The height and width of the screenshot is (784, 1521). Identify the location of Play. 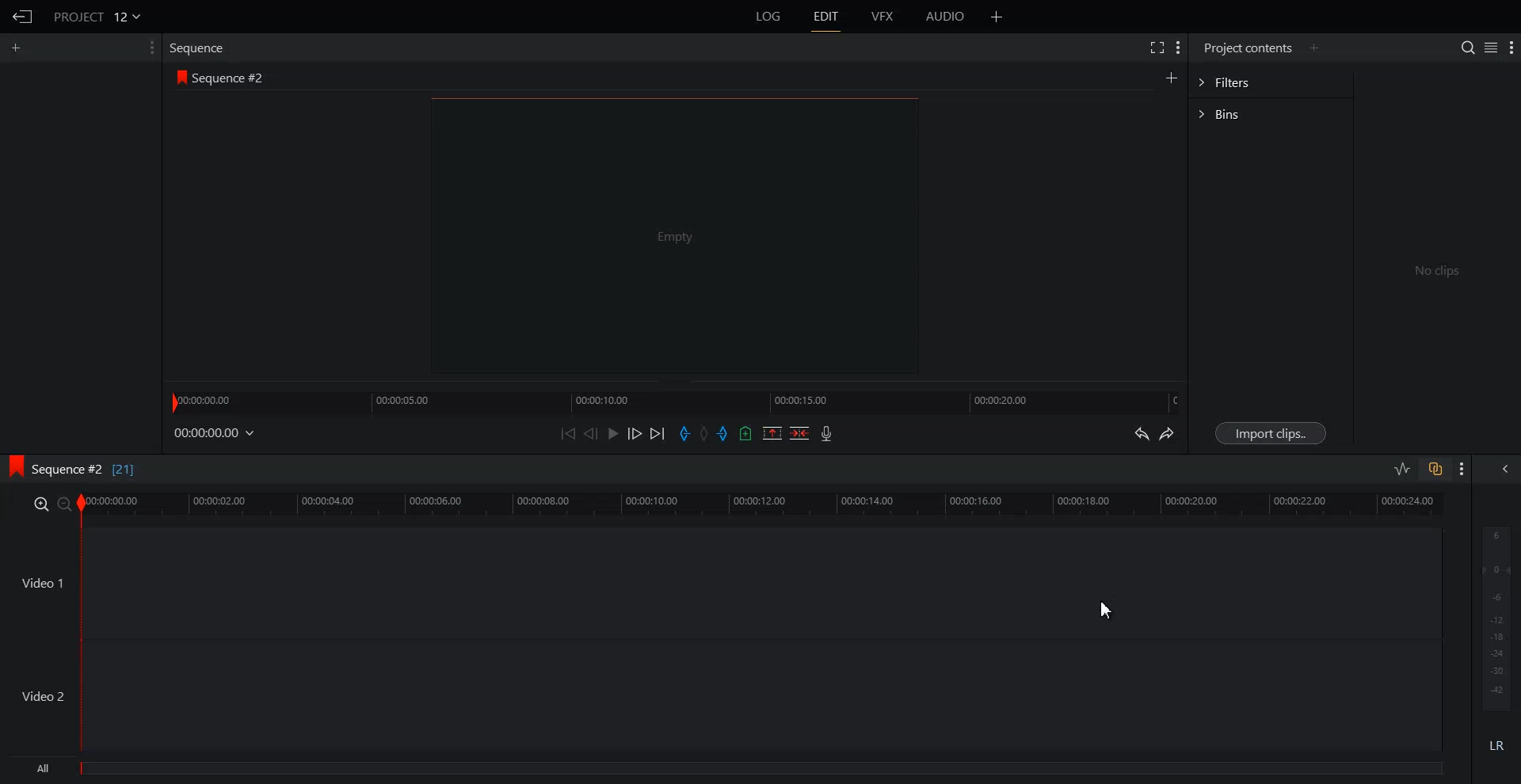
(613, 432).